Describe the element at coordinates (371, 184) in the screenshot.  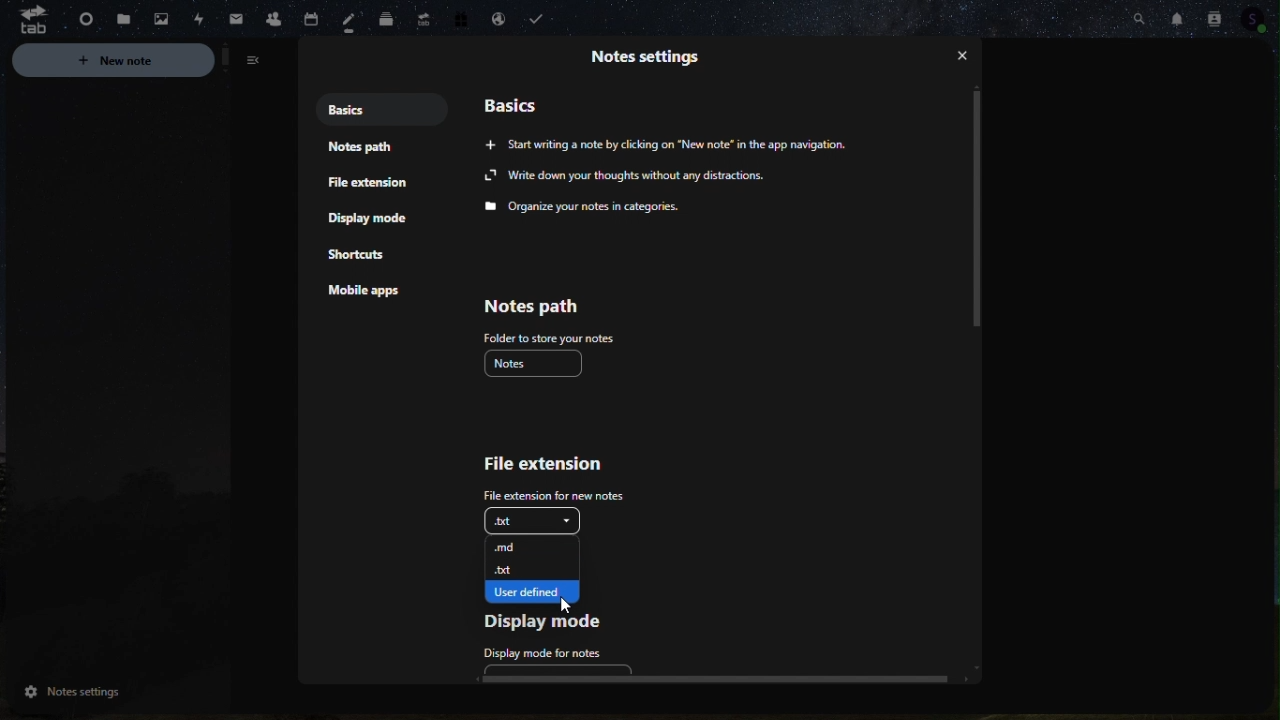
I see `File extension` at that location.